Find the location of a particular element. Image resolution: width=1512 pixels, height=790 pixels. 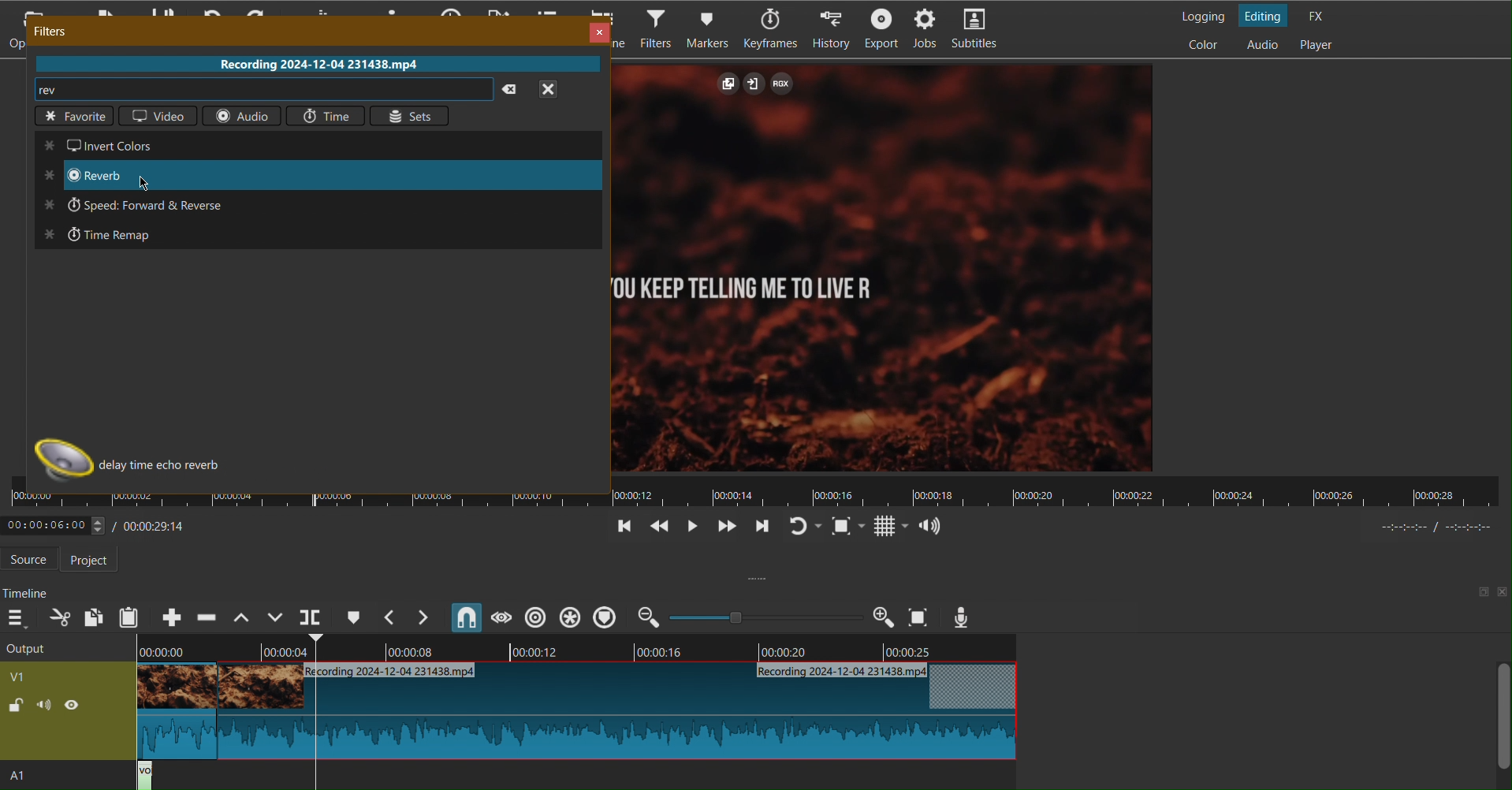

lock is located at coordinates (16, 707).